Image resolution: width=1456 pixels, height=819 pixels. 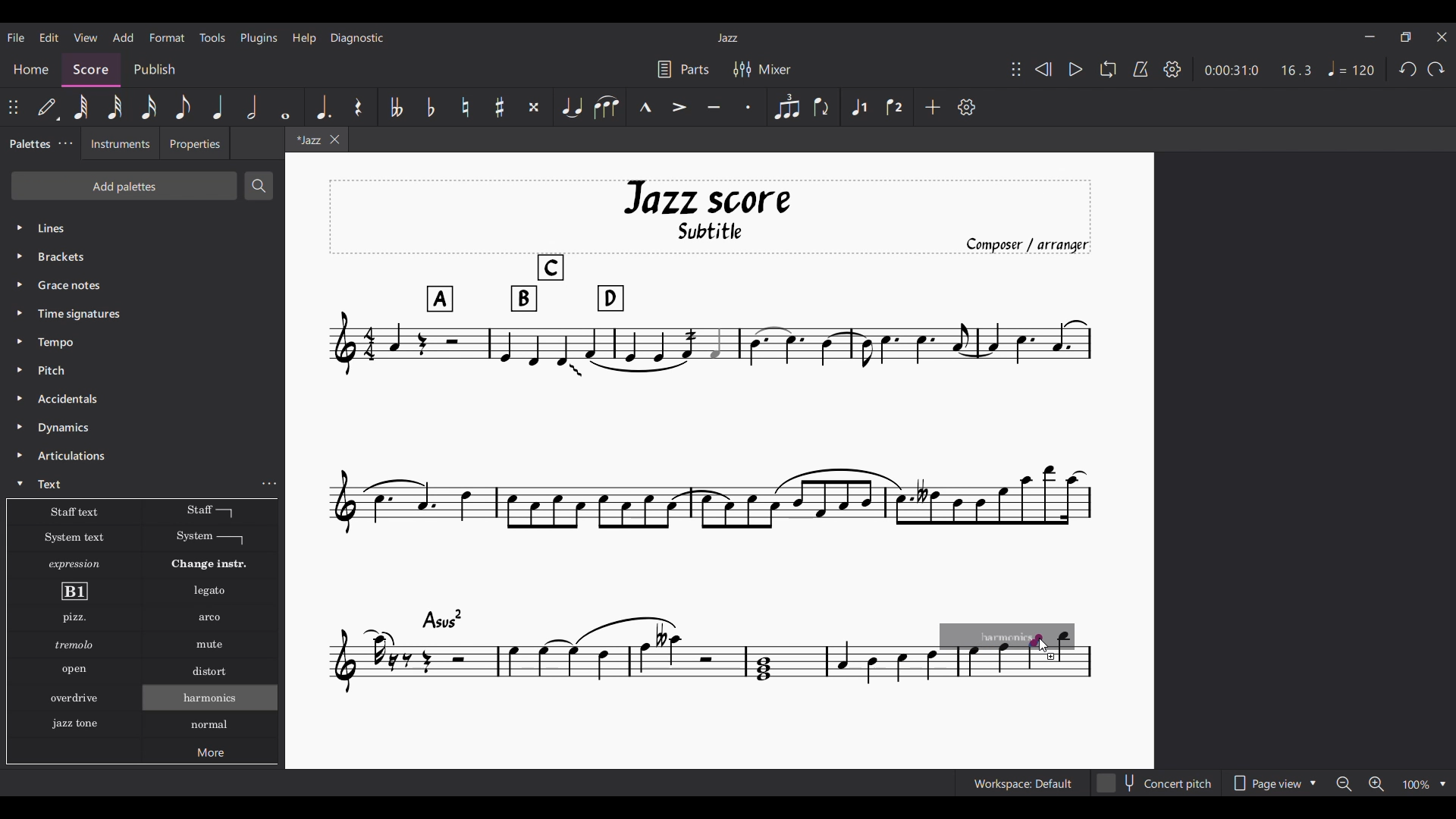 What do you see at coordinates (218, 107) in the screenshot?
I see `Quarter note` at bounding box center [218, 107].